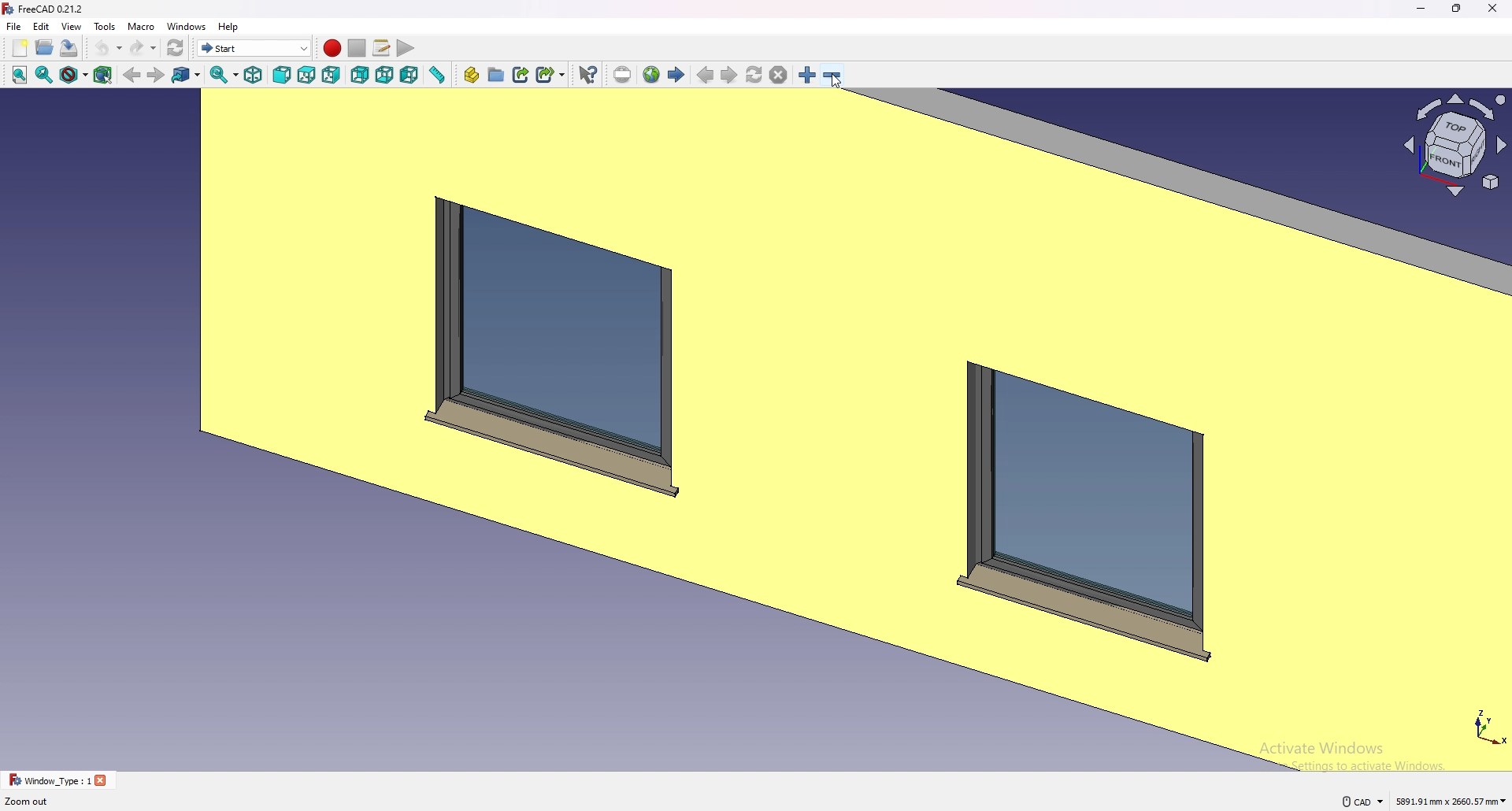 This screenshot has width=1512, height=811. What do you see at coordinates (14, 26) in the screenshot?
I see `file` at bounding box center [14, 26].